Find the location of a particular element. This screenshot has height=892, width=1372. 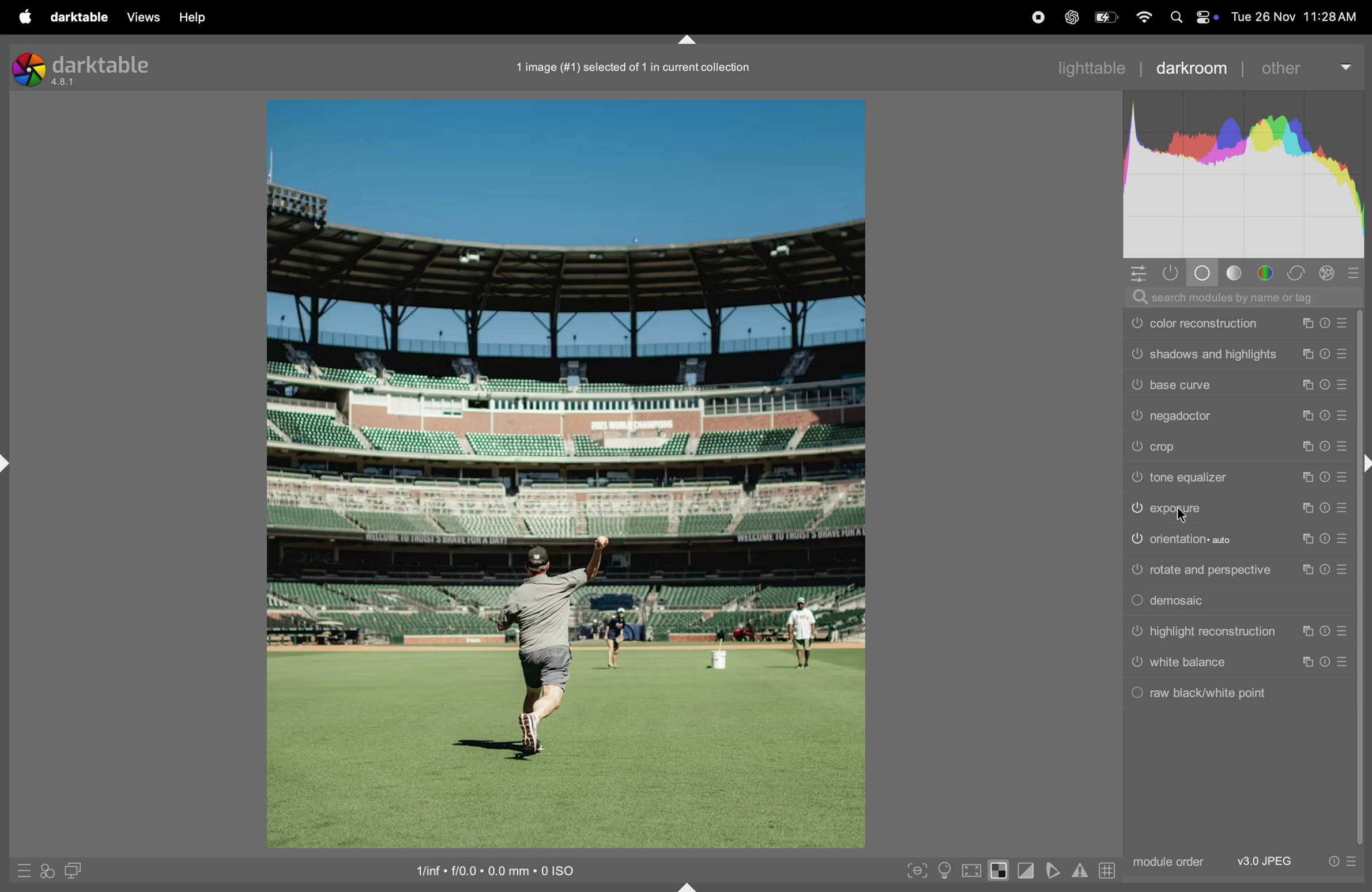

Presets  is located at coordinates (1342, 508).